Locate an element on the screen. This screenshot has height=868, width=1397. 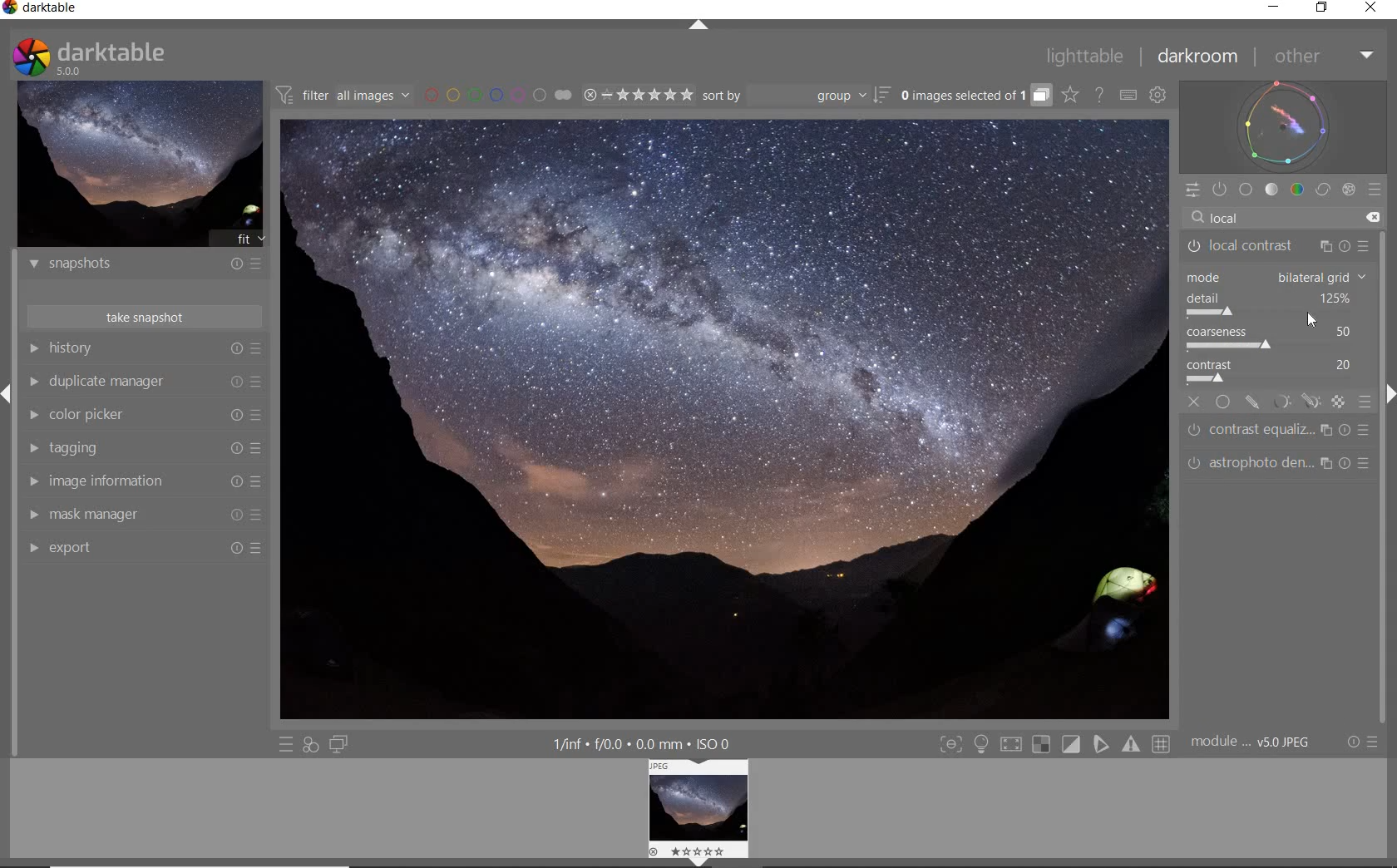
FILTER BY IMAGE COLOR LABEL is located at coordinates (497, 95).